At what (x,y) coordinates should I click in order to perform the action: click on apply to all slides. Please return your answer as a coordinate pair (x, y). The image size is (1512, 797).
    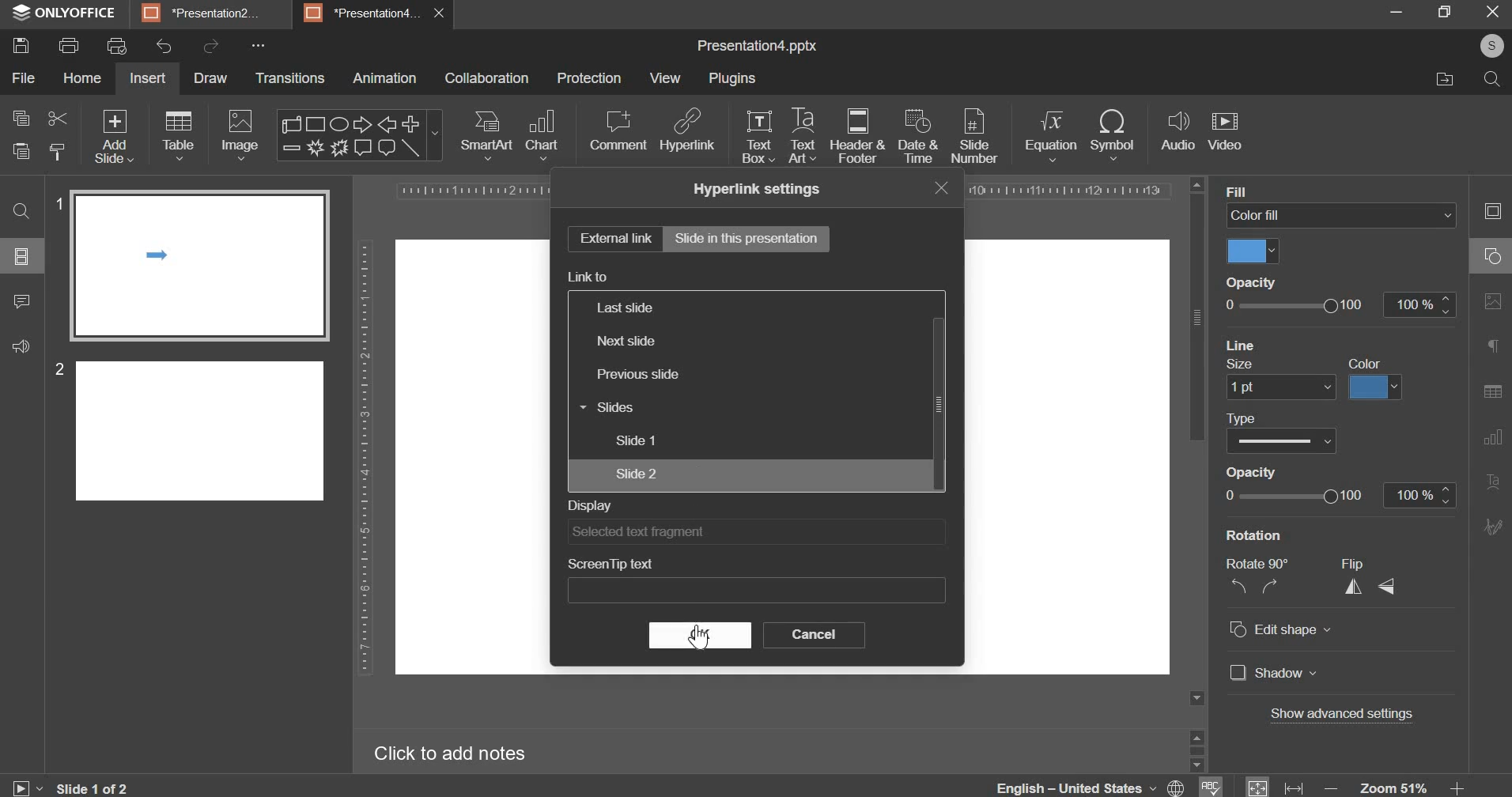
    Looking at the image, I should click on (1370, 363).